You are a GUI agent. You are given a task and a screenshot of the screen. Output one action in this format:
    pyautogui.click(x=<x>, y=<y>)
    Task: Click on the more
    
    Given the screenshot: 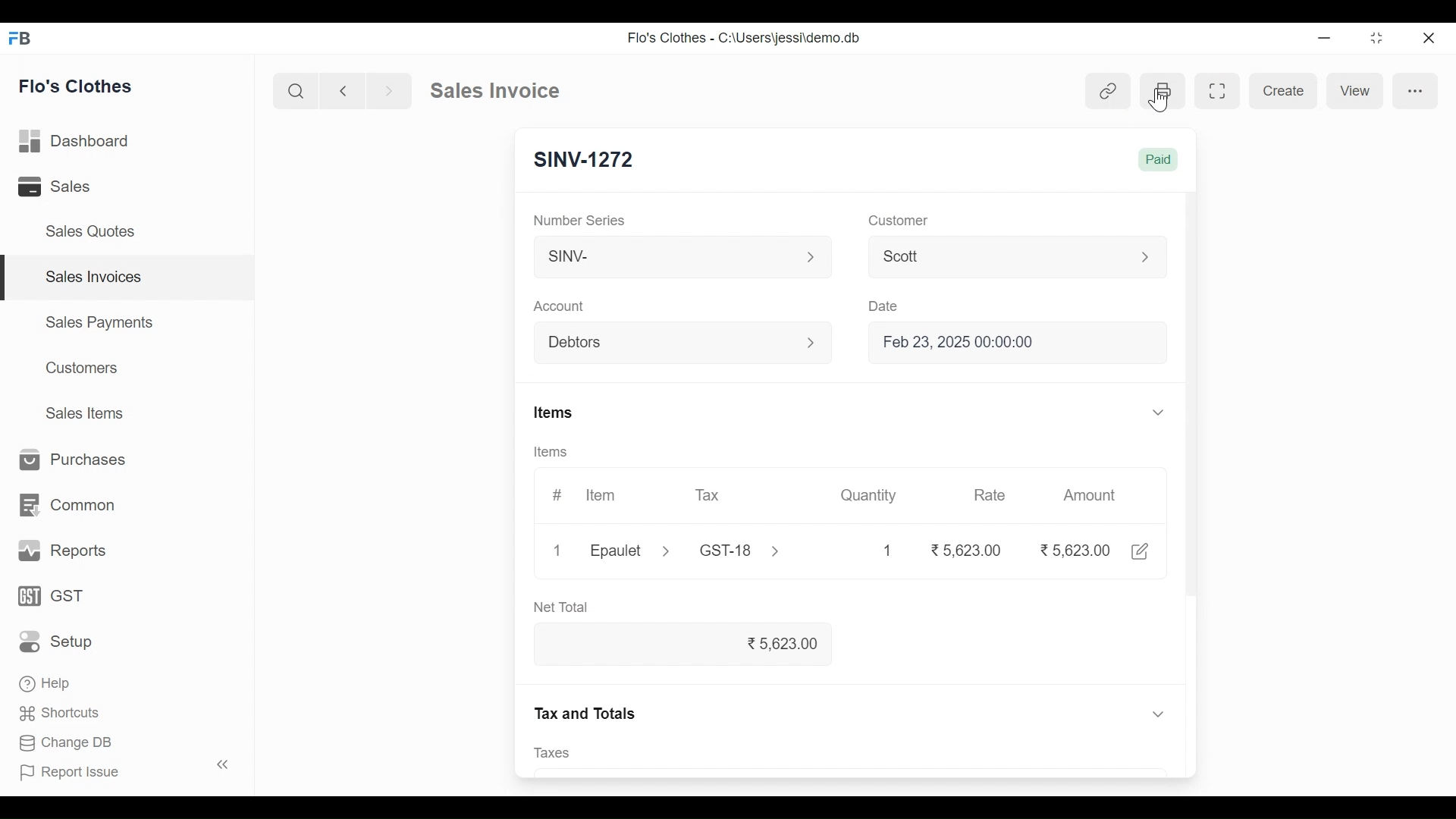 What is the action you would take?
    pyautogui.click(x=1414, y=91)
    